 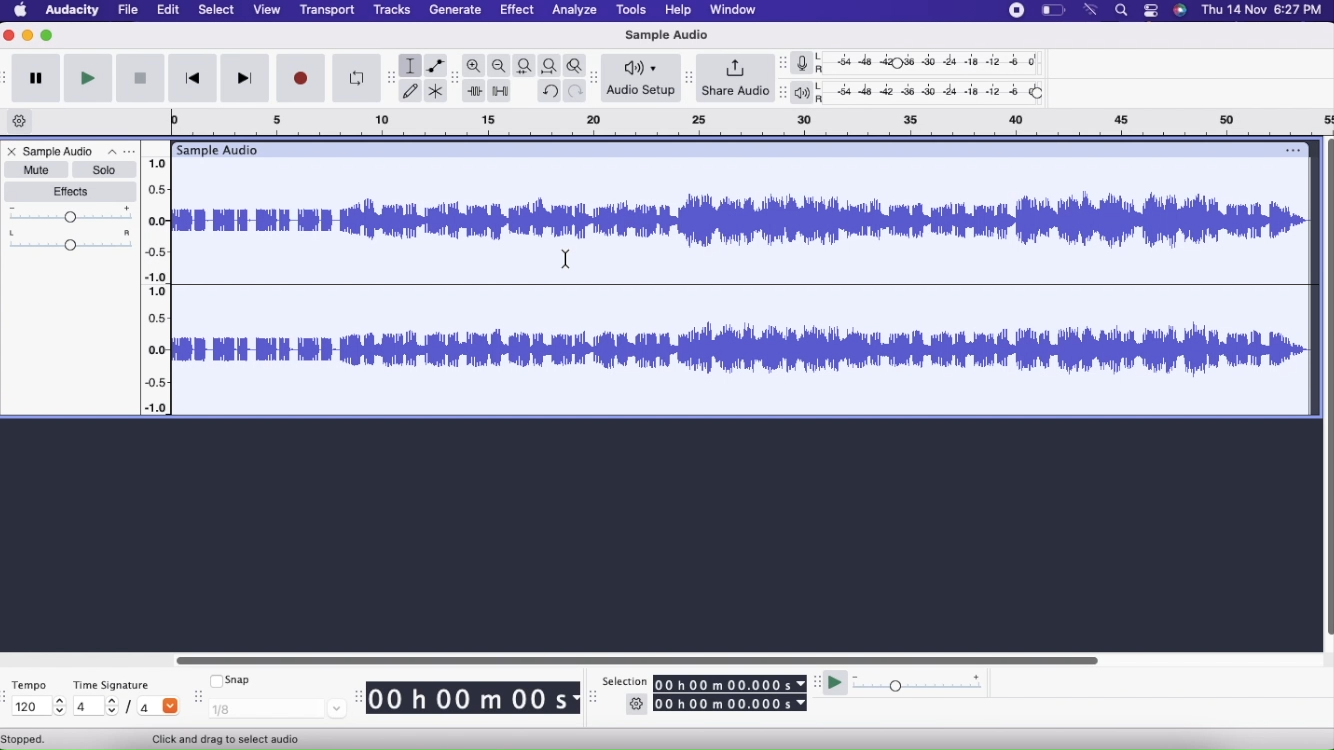 What do you see at coordinates (35, 170) in the screenshot?
I see `Mute` at bounding box center [35, 170].